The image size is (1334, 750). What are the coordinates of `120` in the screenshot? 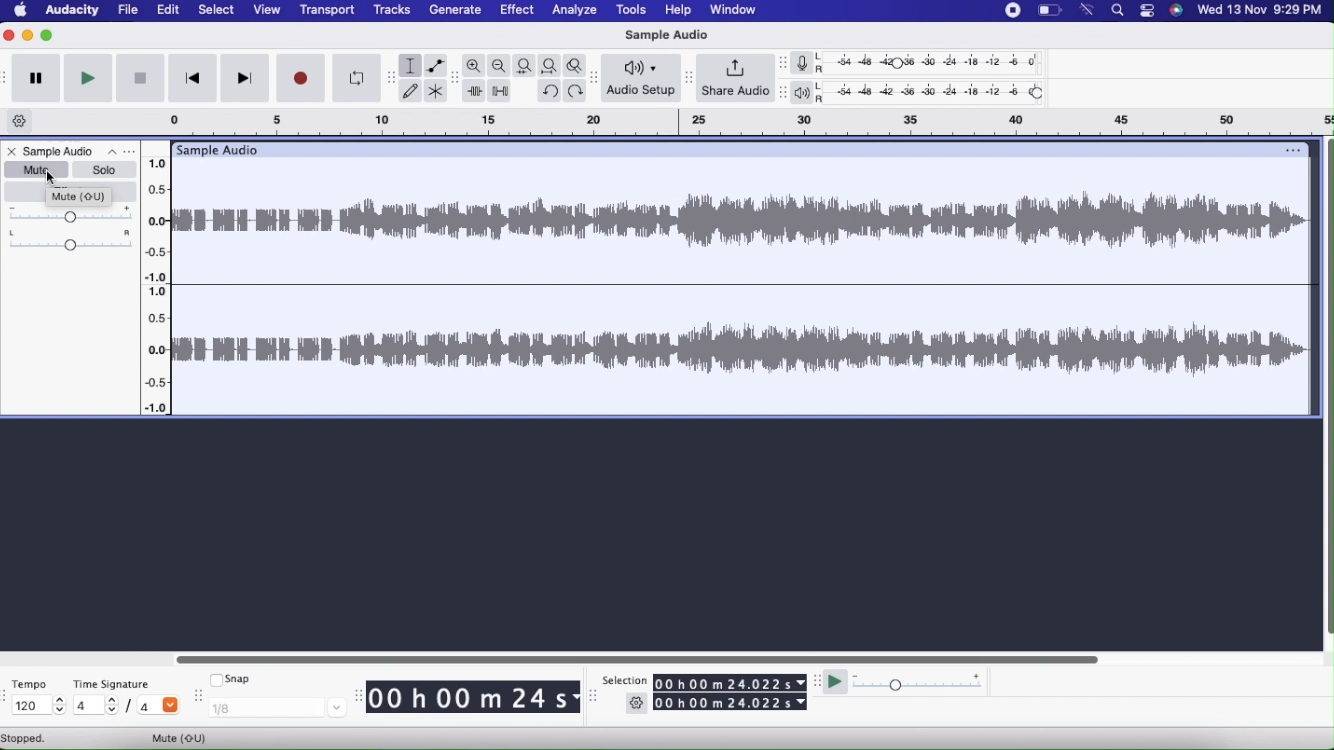 It's located at (38, 706).